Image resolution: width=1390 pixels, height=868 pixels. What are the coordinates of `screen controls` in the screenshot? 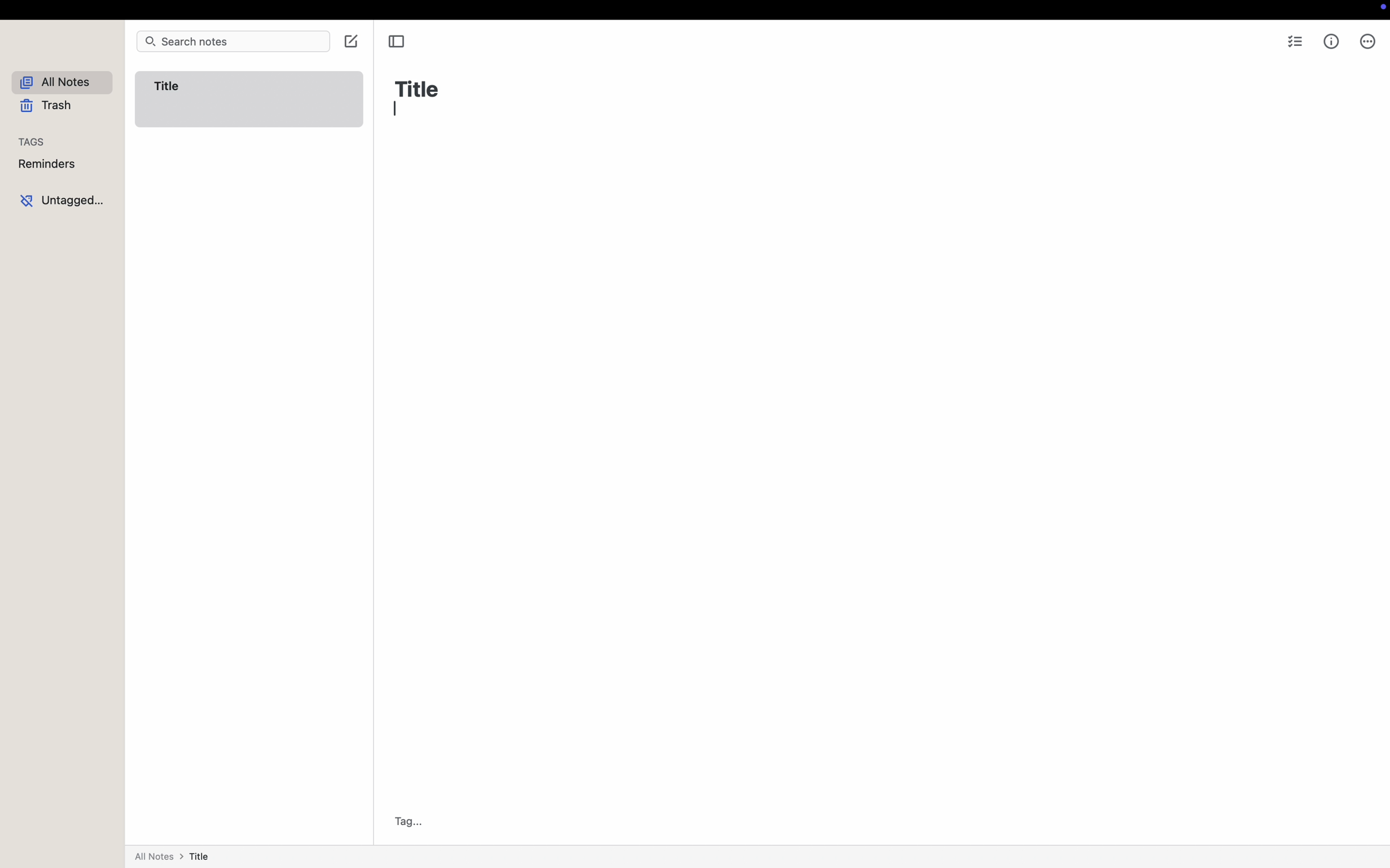 It's located at (1380, 10).